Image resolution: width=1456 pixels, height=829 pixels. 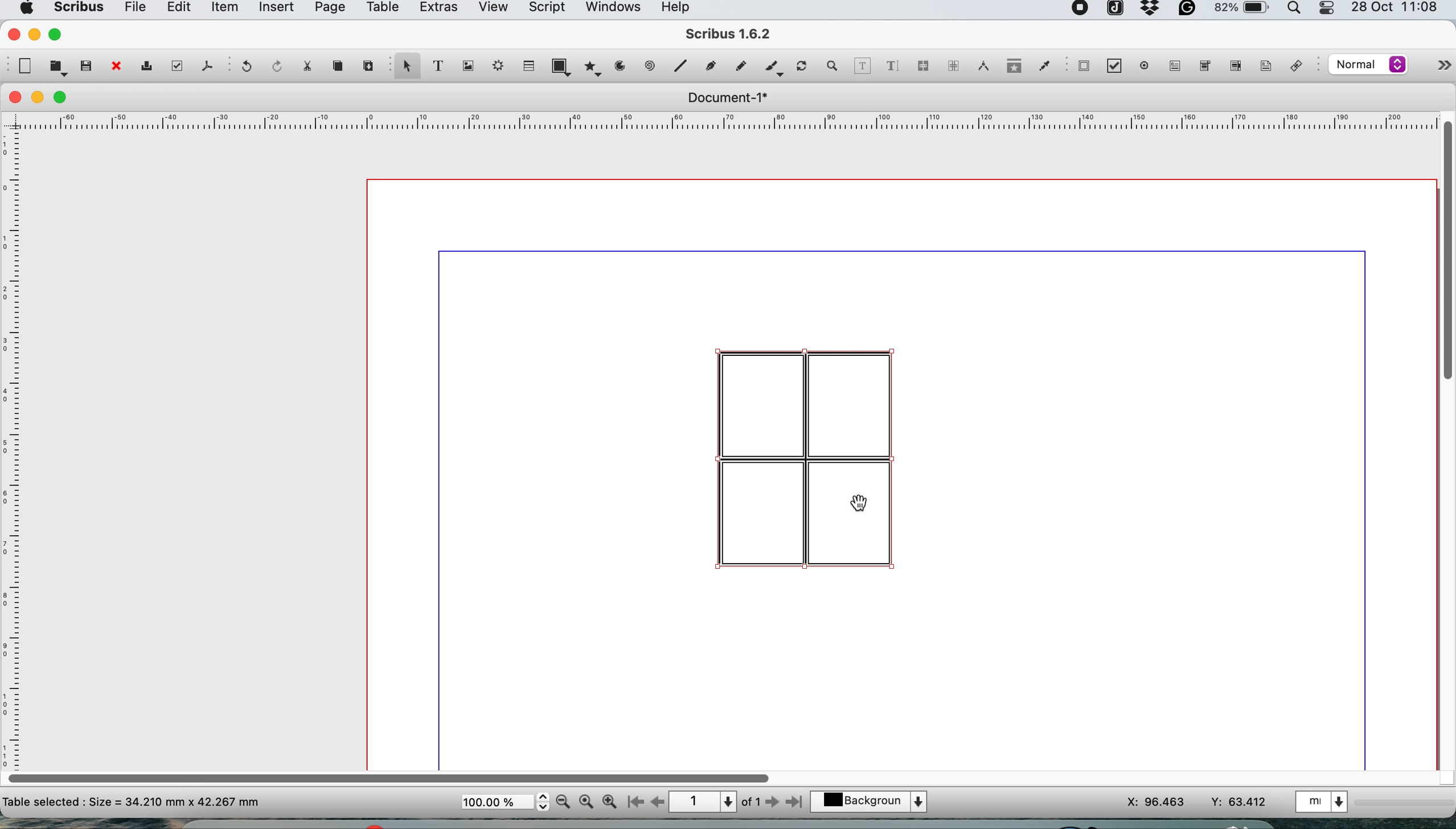 I want to click on joplin, so click(x=1114, y=10).